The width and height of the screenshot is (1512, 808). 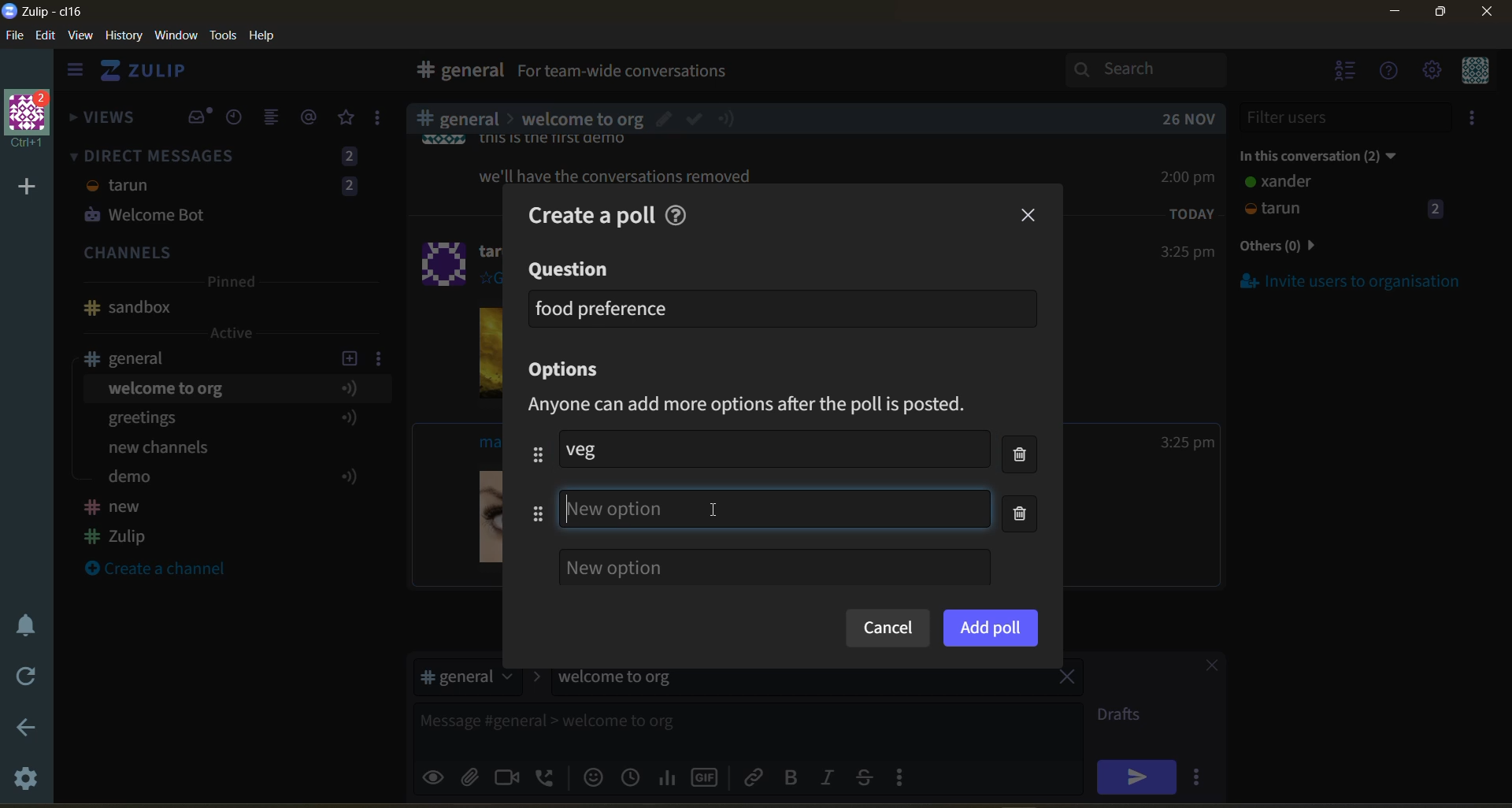 What do you see at coordinates (118, 524) in the screenshot?
I see `Channel names` at bounding box center [118, 524].